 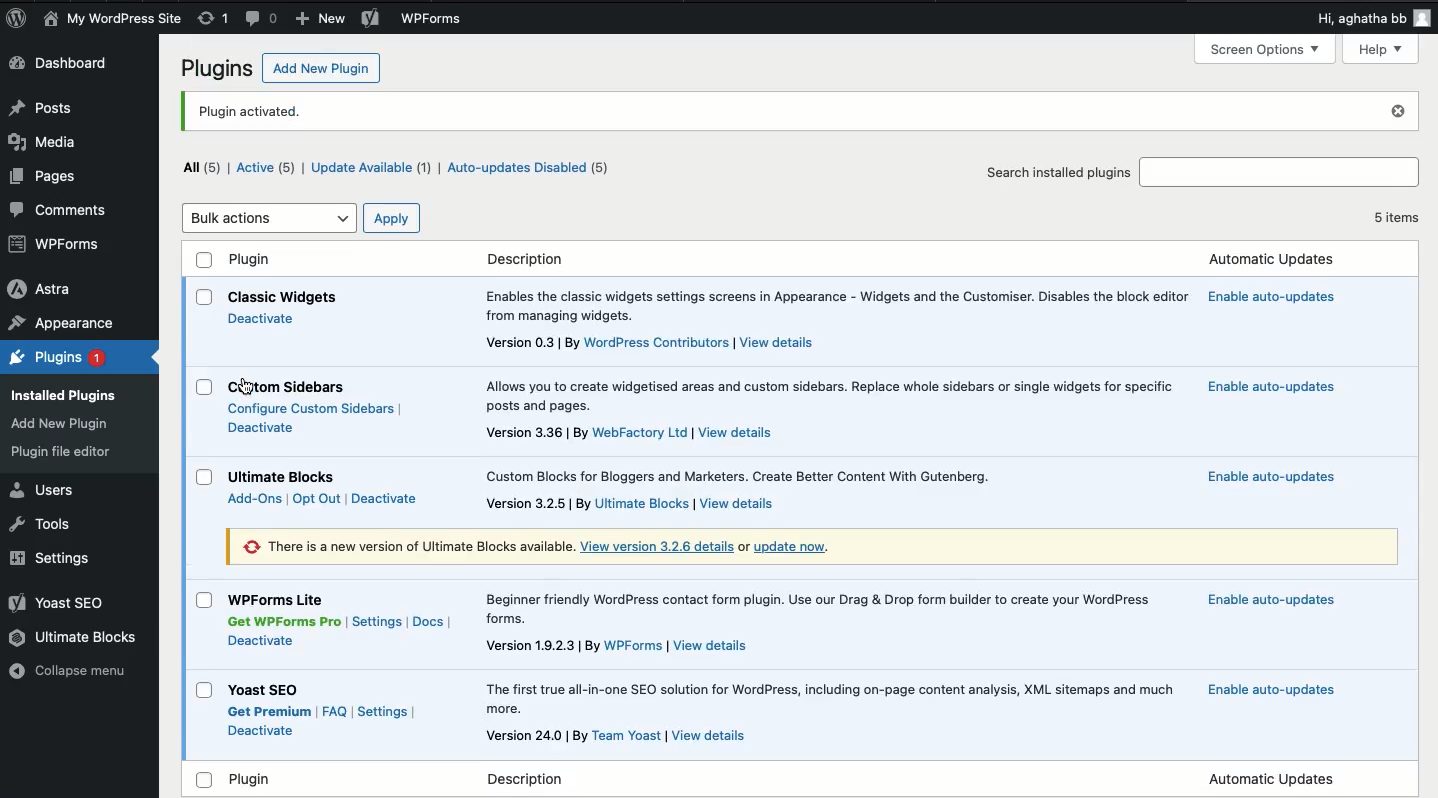 I want to click on Description, so click(x=839, y=303).